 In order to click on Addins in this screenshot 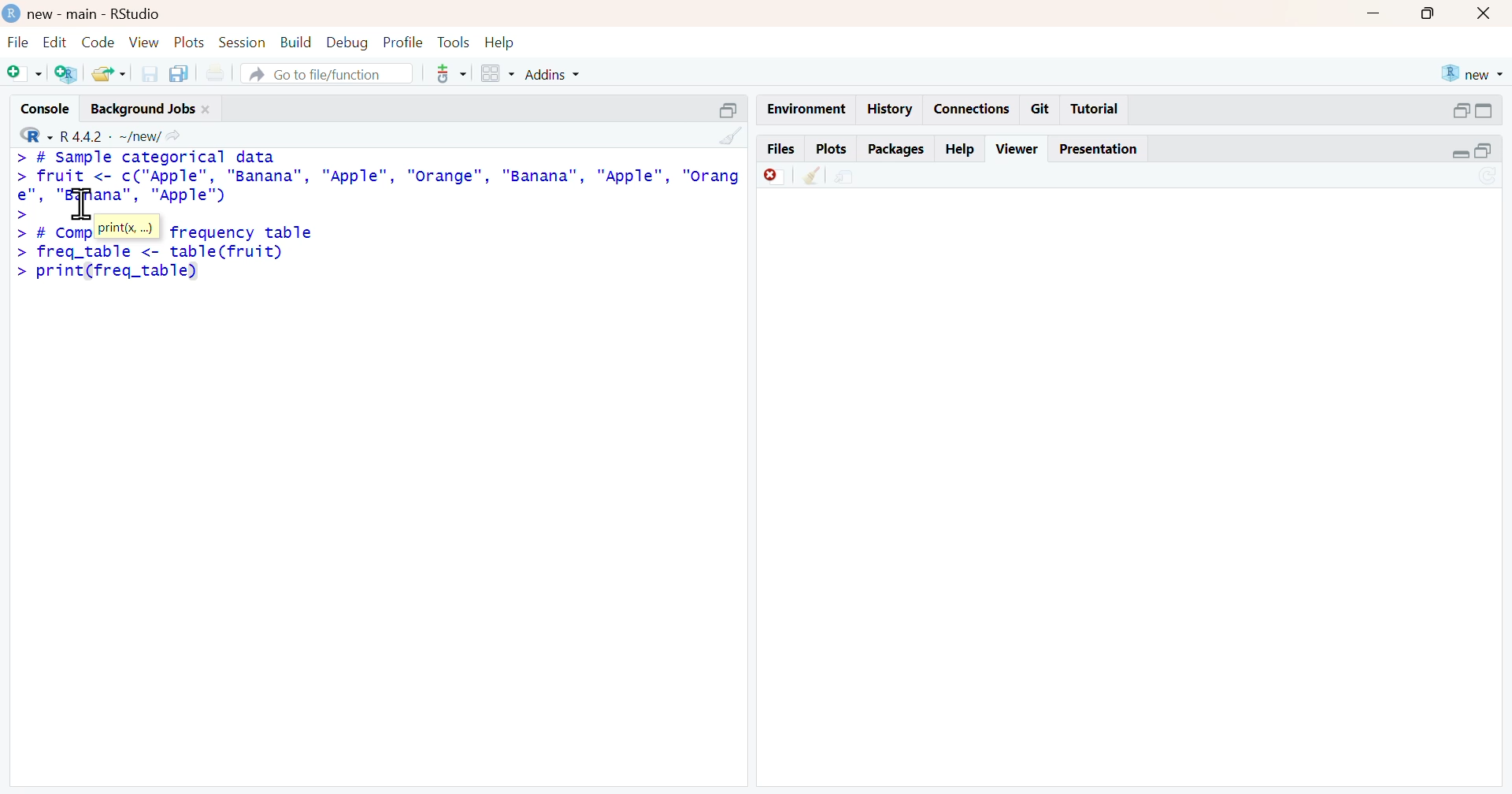, I will do `click(552, 74)`.